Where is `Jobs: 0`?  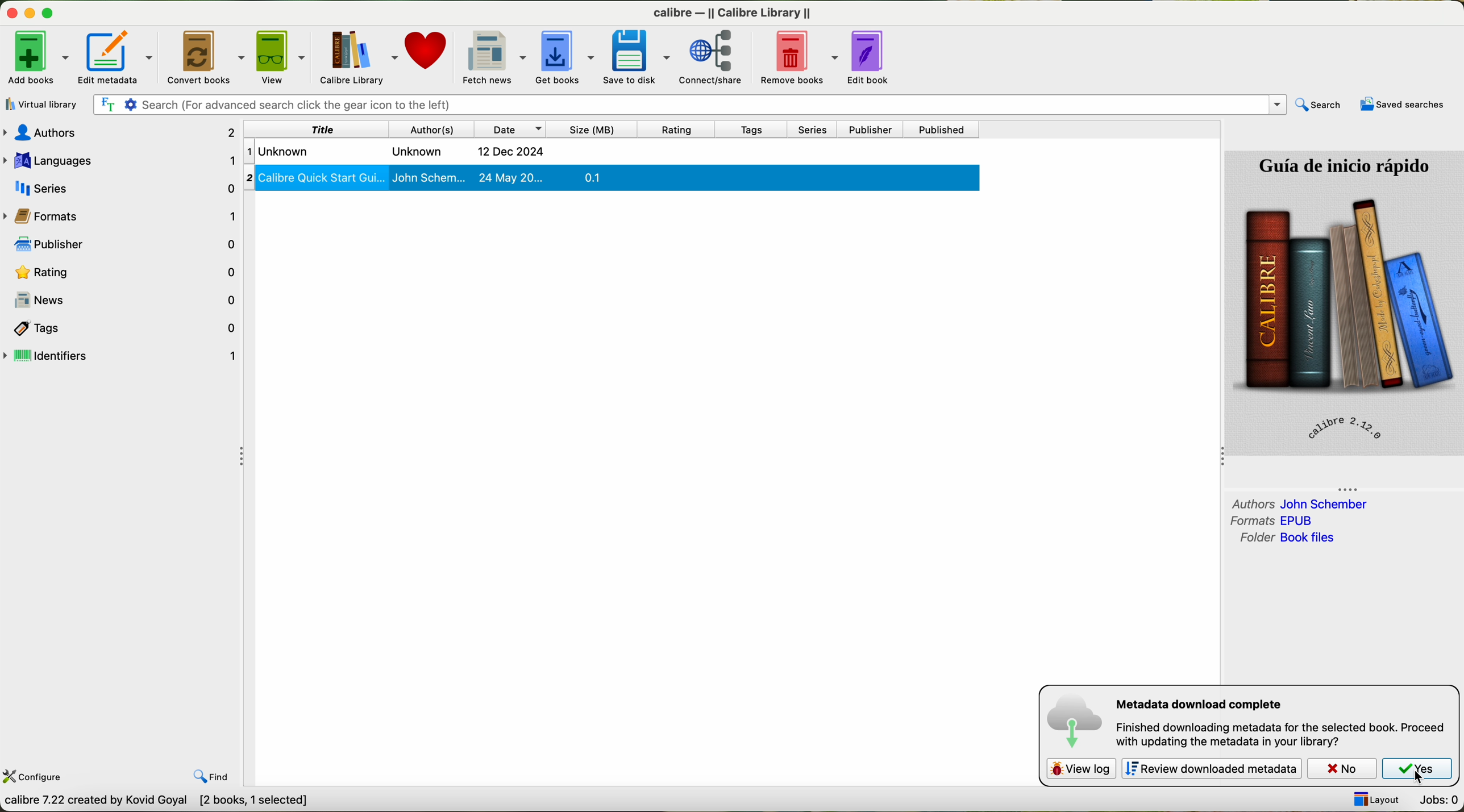
Jobs: 0 is located at coordinates (1440, 801).